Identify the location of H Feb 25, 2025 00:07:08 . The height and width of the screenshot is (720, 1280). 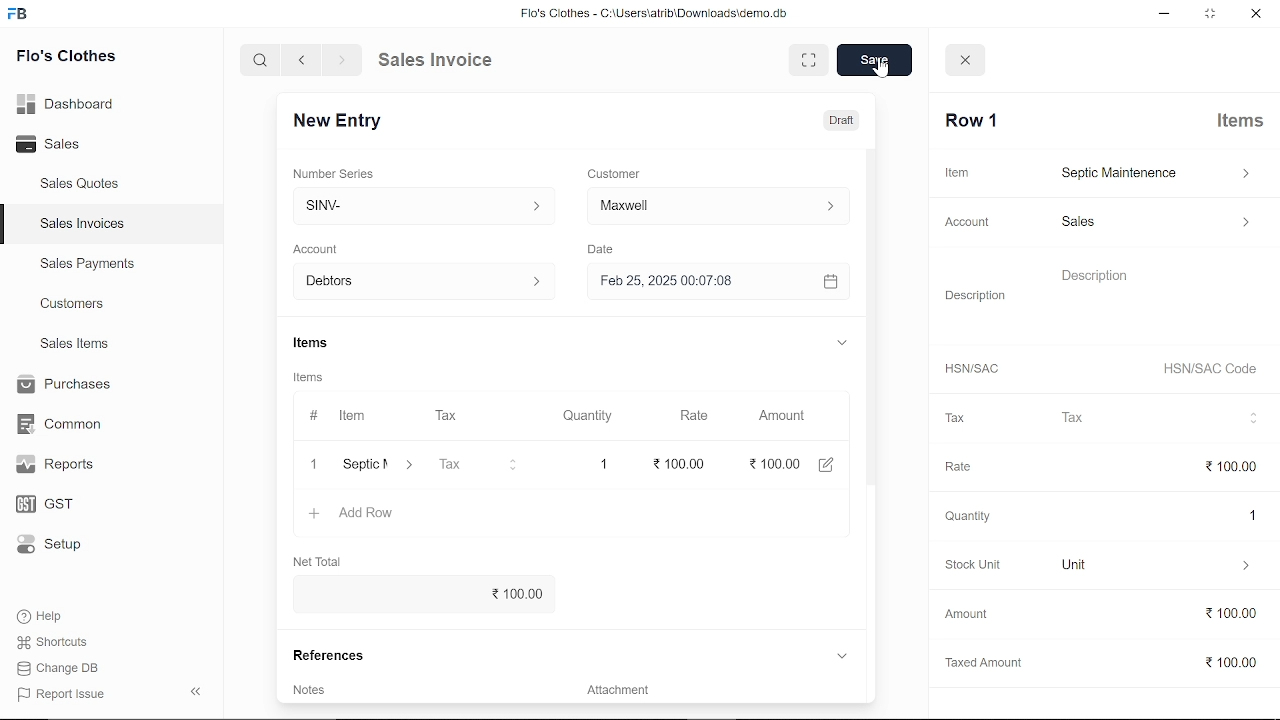
(690, 280).